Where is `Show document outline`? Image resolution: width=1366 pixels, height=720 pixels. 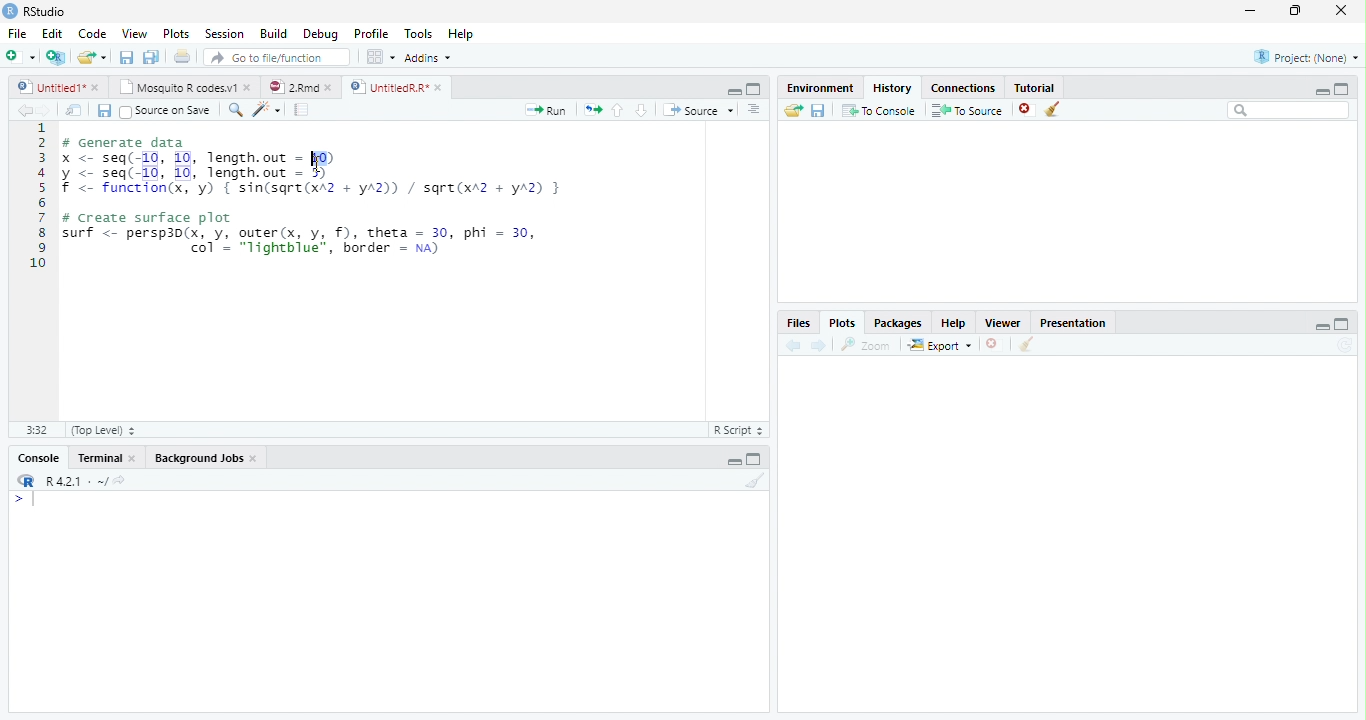
Show document outline is located at coordinates (753, 108).